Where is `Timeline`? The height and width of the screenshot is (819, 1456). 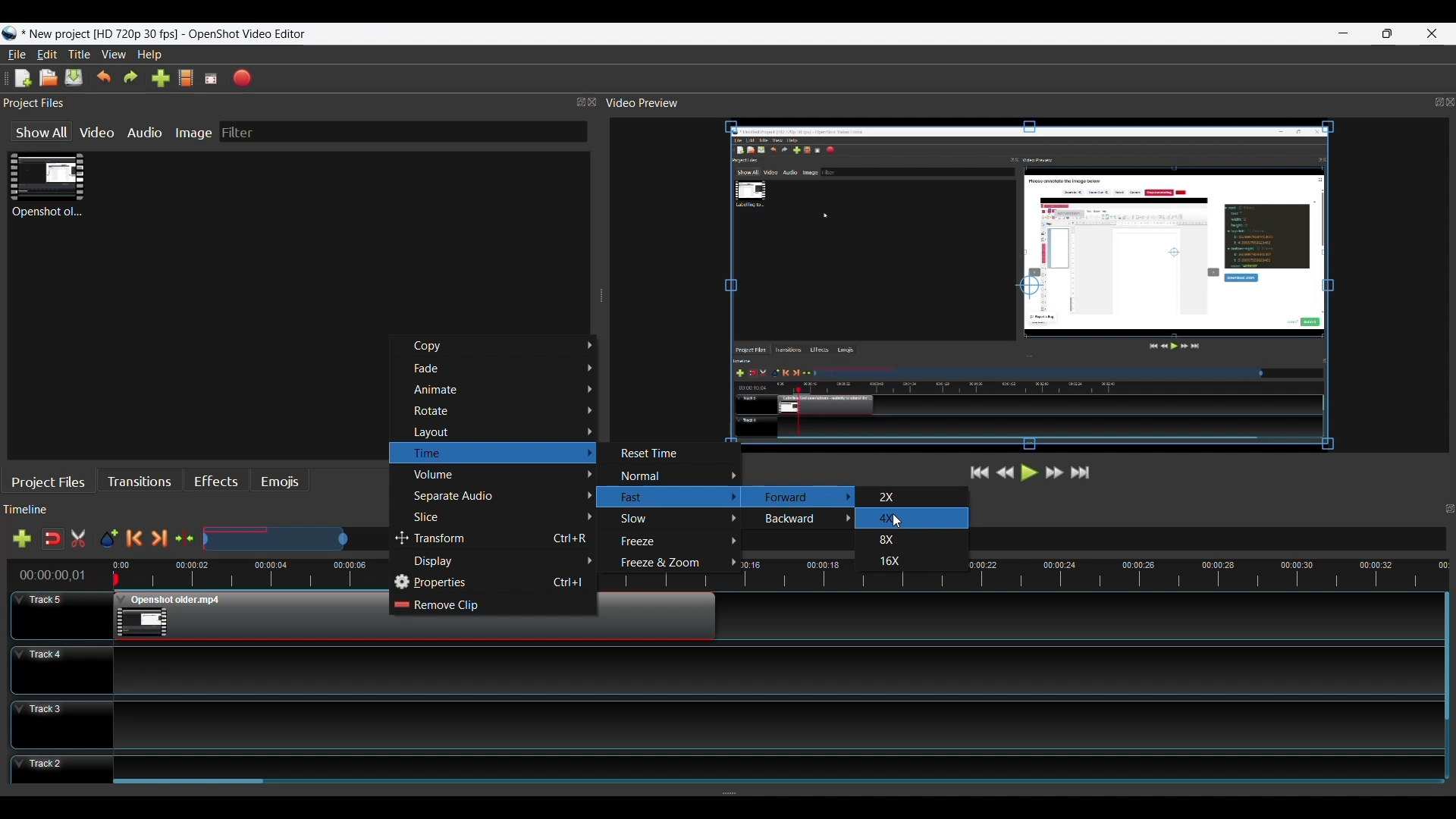 Timeline is located at coordinates (196, 573).